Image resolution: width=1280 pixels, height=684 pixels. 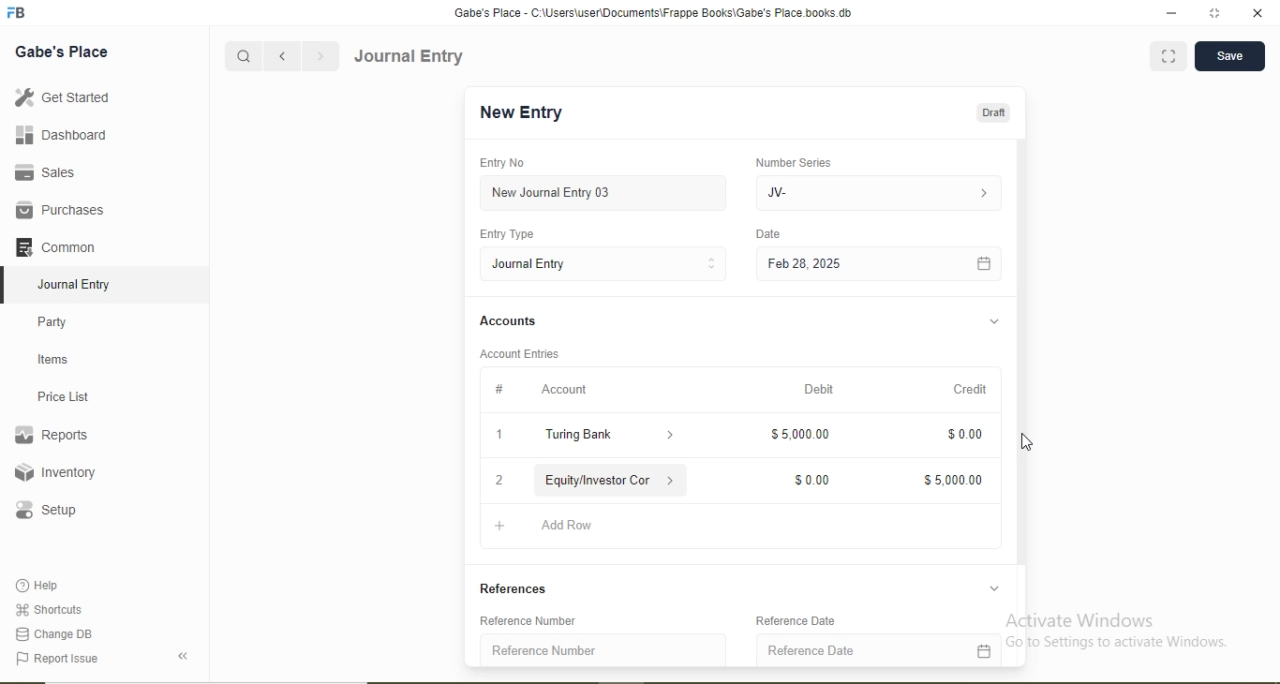 What do you see at coordinates (672, 436) in the screenshot?
I see `Dropdown` at bounding box center [672, 436].